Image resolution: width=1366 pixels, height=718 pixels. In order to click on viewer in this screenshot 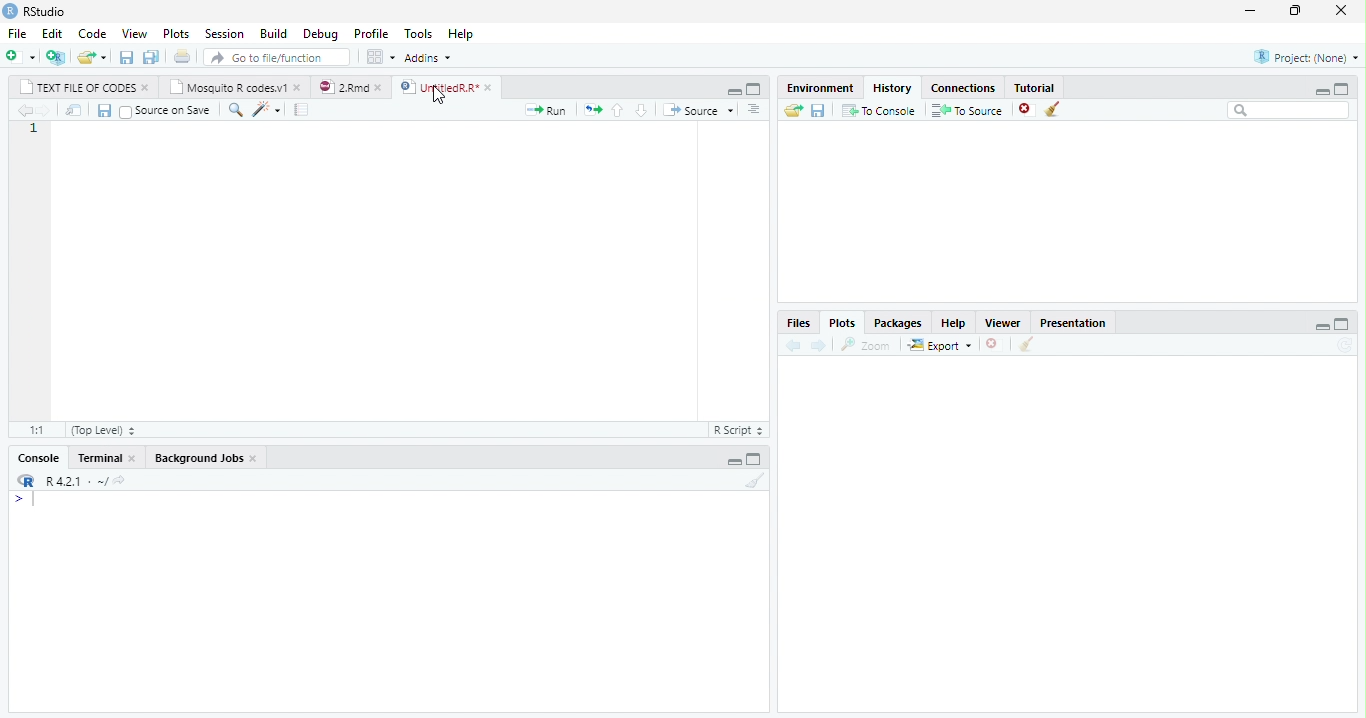, I will do `click(1003, 322)`.